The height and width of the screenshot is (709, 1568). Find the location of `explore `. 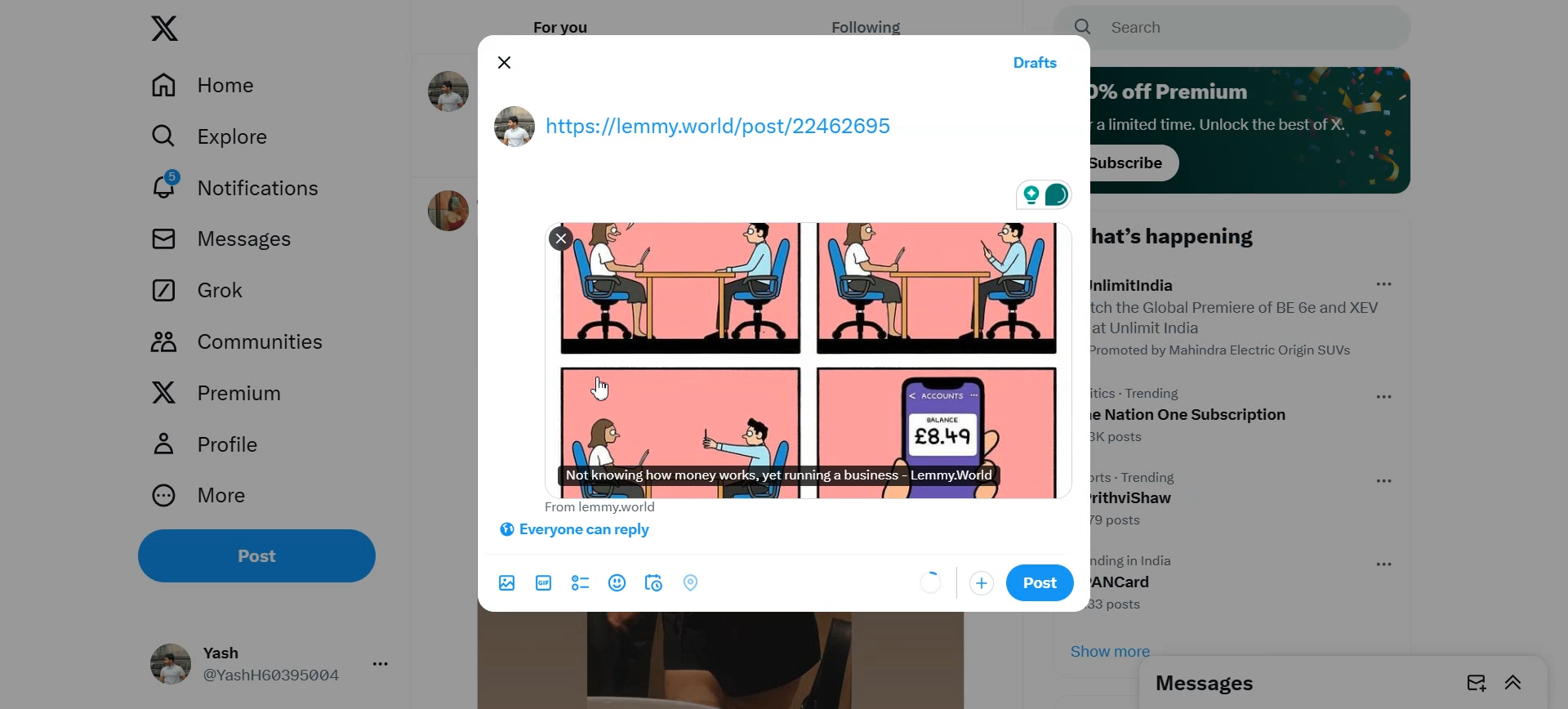

explore  is located at coordinates (215, 141).